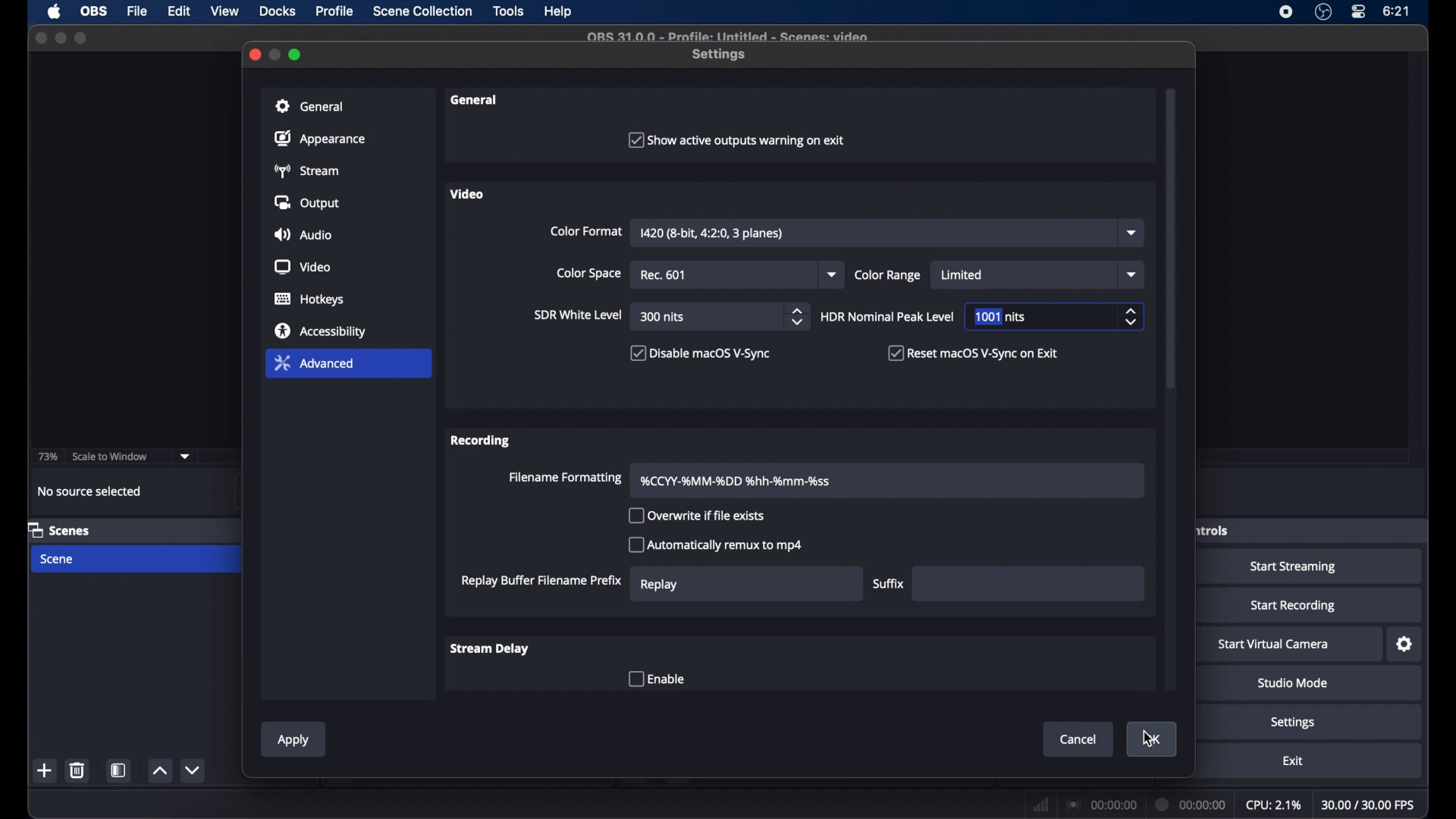 The width and height of the screenshot is (1456, 819). Describe the element at coordinates (1405, 645) in the screenshot. I see `settings` at that location.